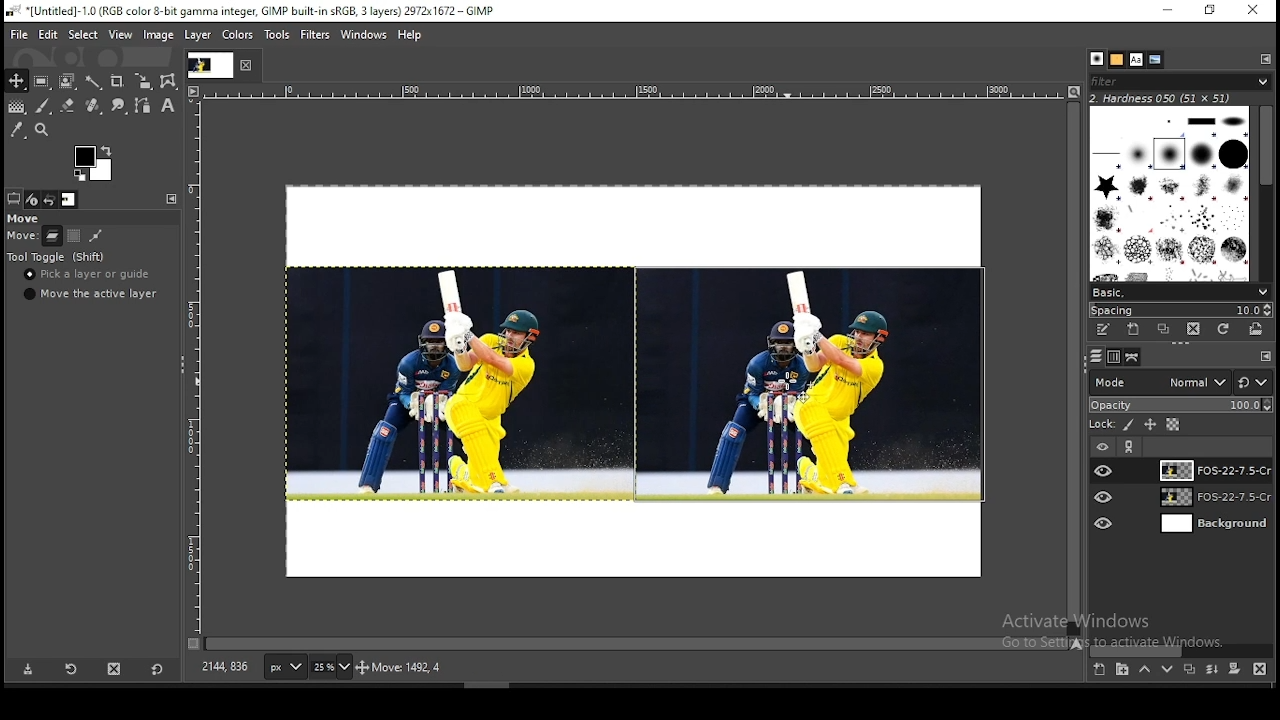 The width and height of the screenshot is (1280, 720). Describe the element at coordinates (1101, 445) in the screenshot. I see `layer visibility on/off` at that location.